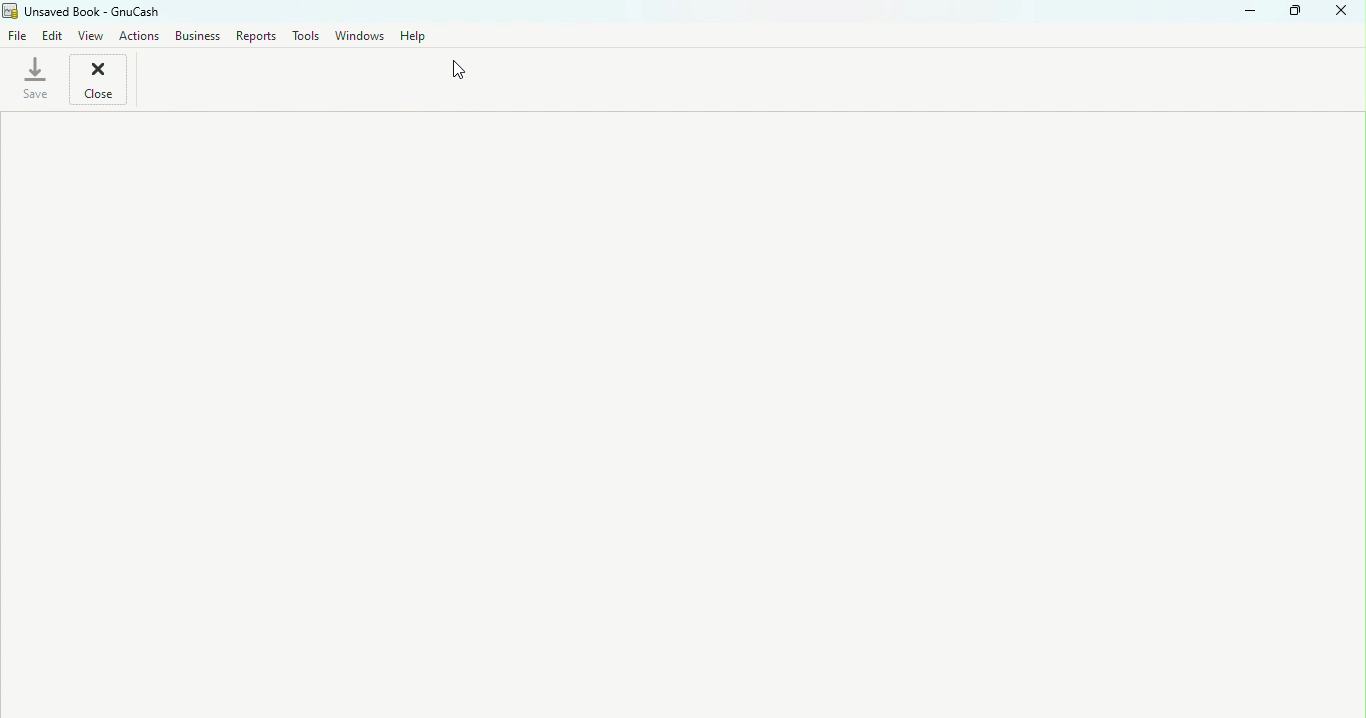 This screenshot has width=1366, height=718. Describe the element at coordinates (1343, 12) in the screenshot. I see `Close` at that location.